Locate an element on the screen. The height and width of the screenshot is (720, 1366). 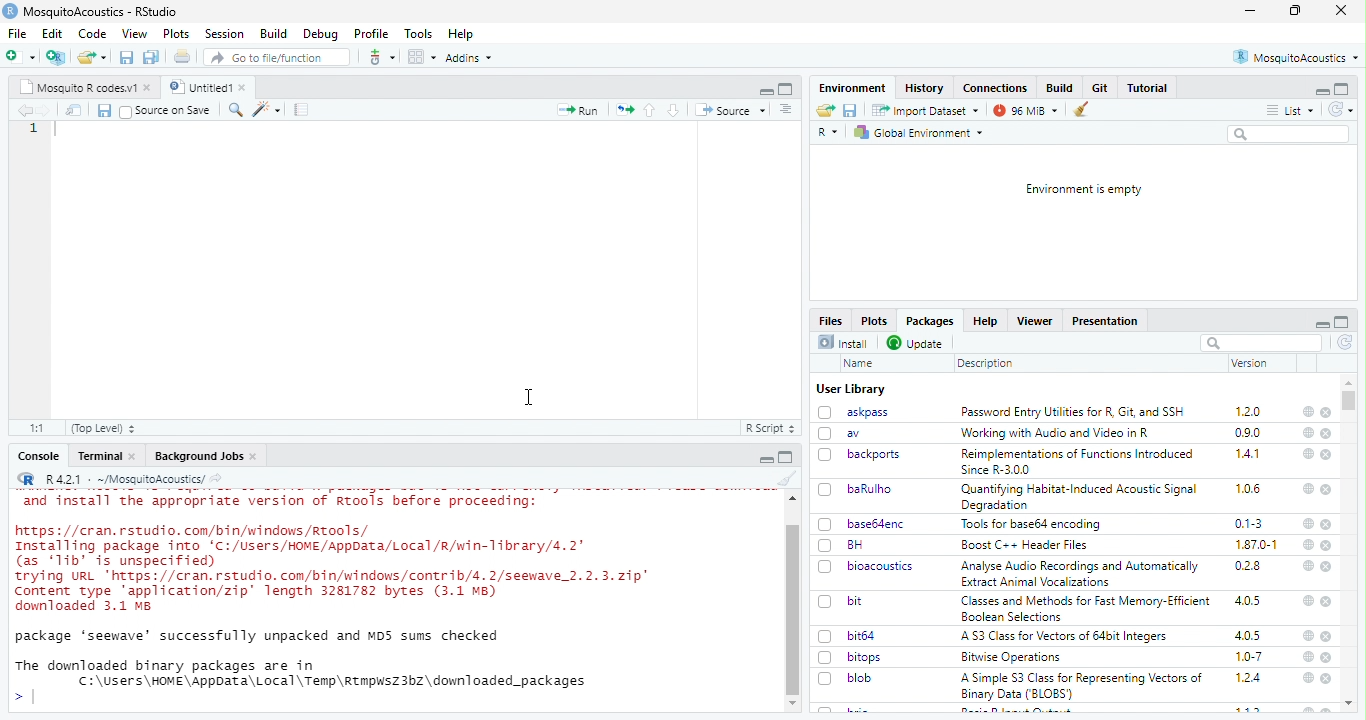
open folder is located at coordinates (92, 57).